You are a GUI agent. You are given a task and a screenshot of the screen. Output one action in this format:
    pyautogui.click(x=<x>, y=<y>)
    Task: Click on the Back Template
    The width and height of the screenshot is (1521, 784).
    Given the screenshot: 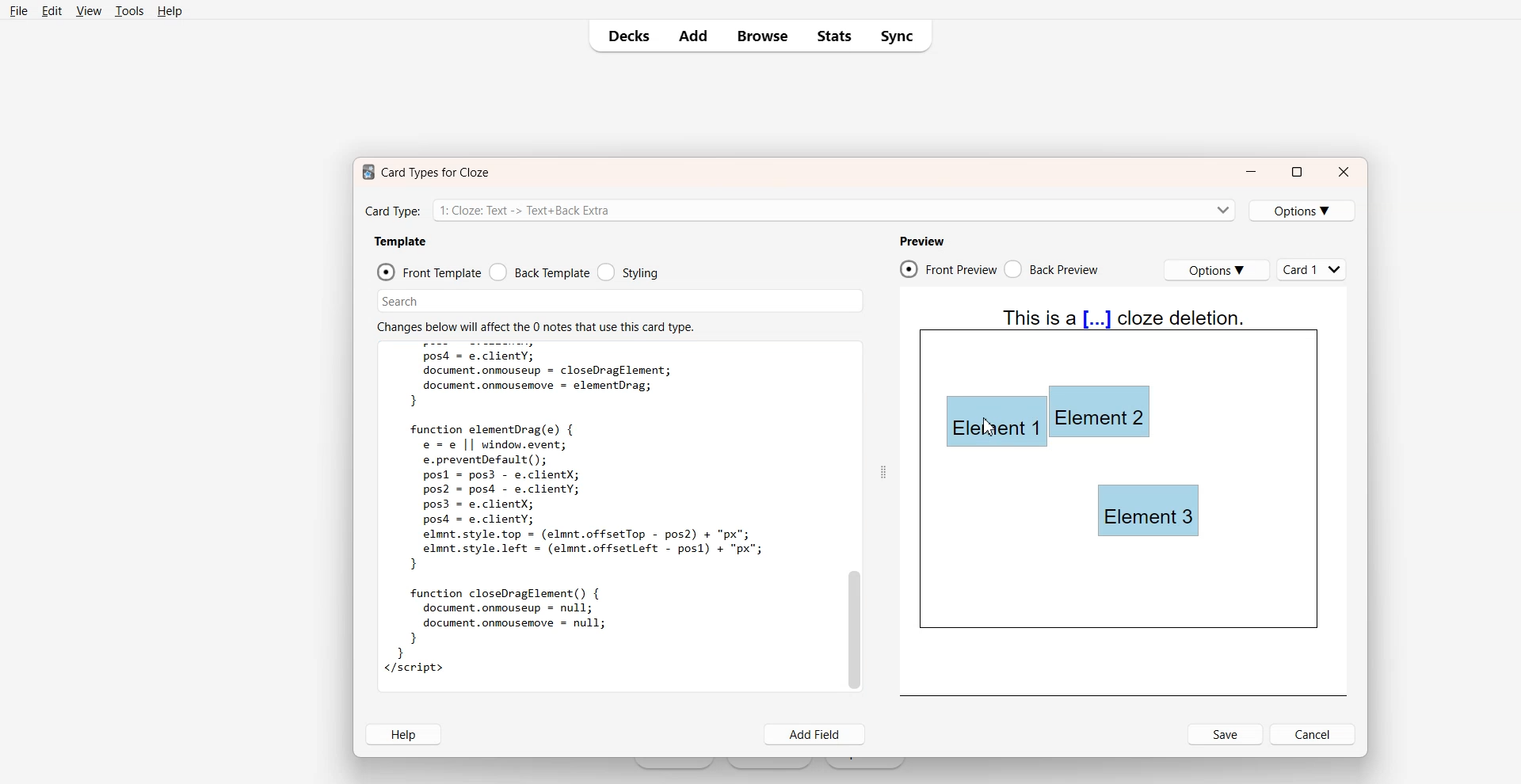 What is the action you would take?
    pyautogui.click(x=539, y=272)
    